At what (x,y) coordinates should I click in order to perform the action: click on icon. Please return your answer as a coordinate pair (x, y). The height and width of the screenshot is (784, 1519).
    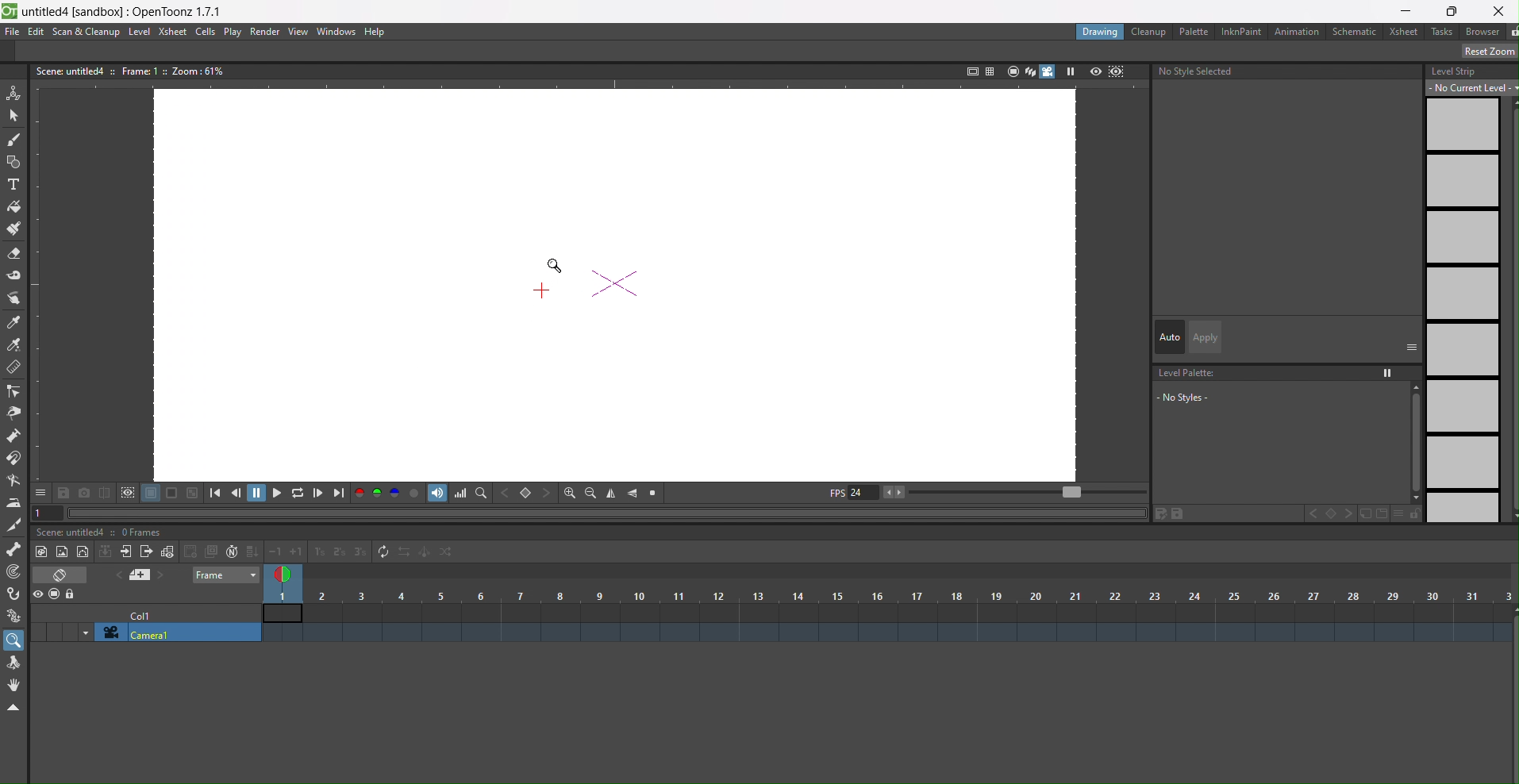
    Looking at the image, I should click on (105, 553).